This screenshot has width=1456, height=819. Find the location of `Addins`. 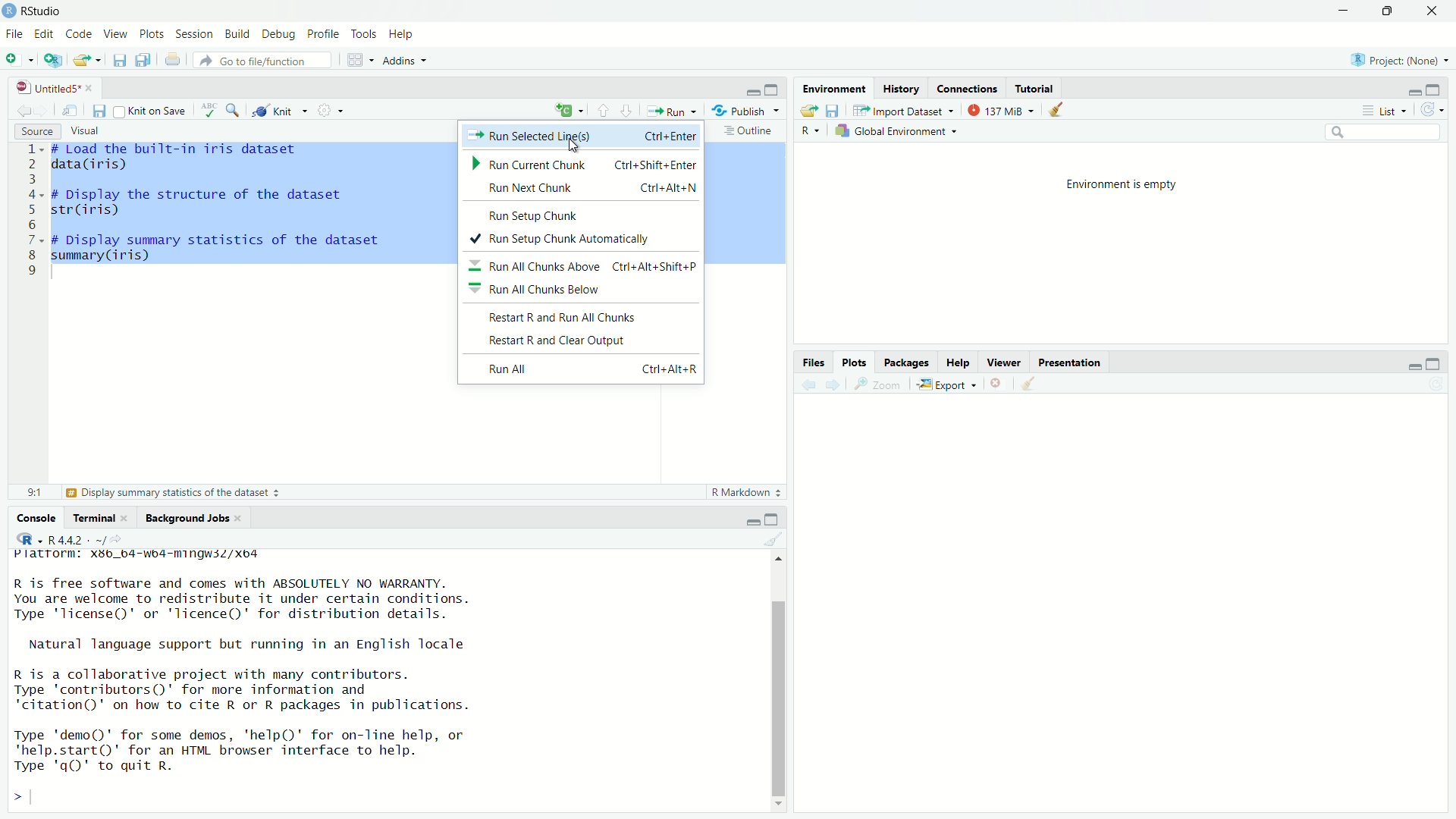

Addins is located at coordinates (405, 61).